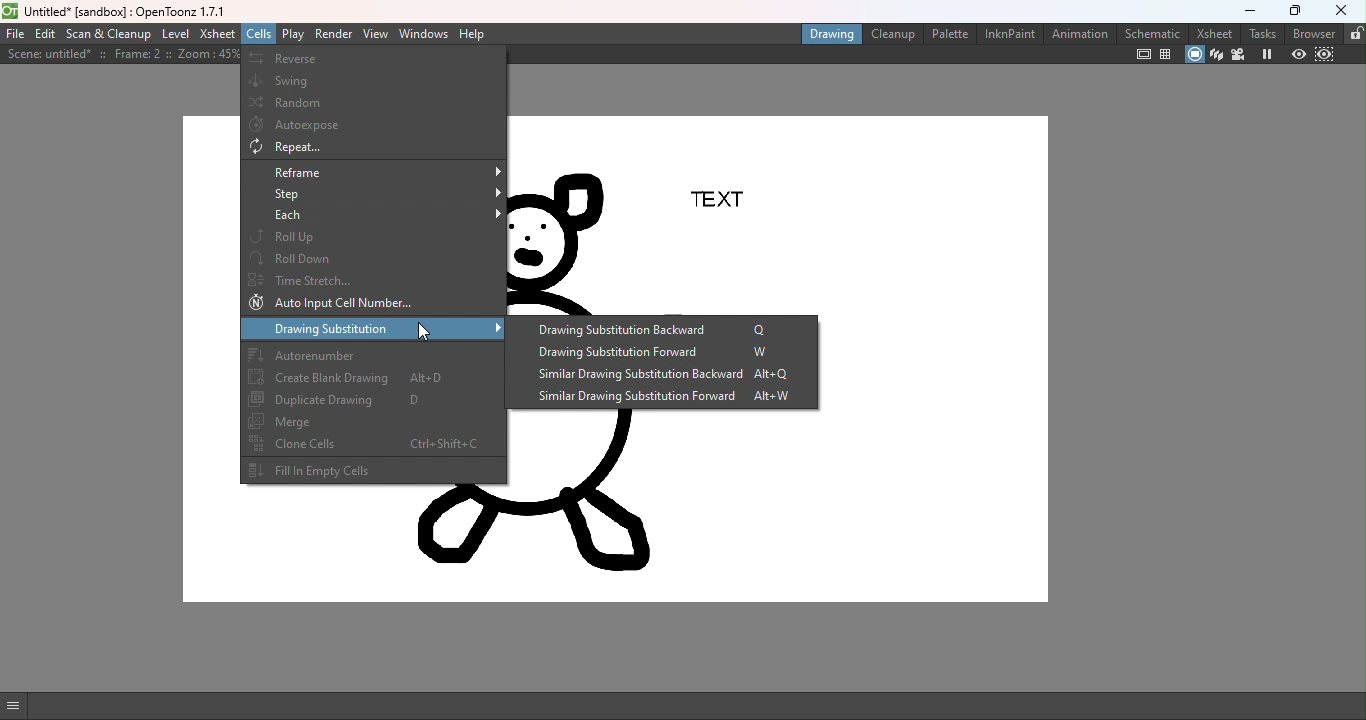  What do you see at coordinates (374, 173) in the screenshot?
I see `Reframe` at bounding box center [374, 173].